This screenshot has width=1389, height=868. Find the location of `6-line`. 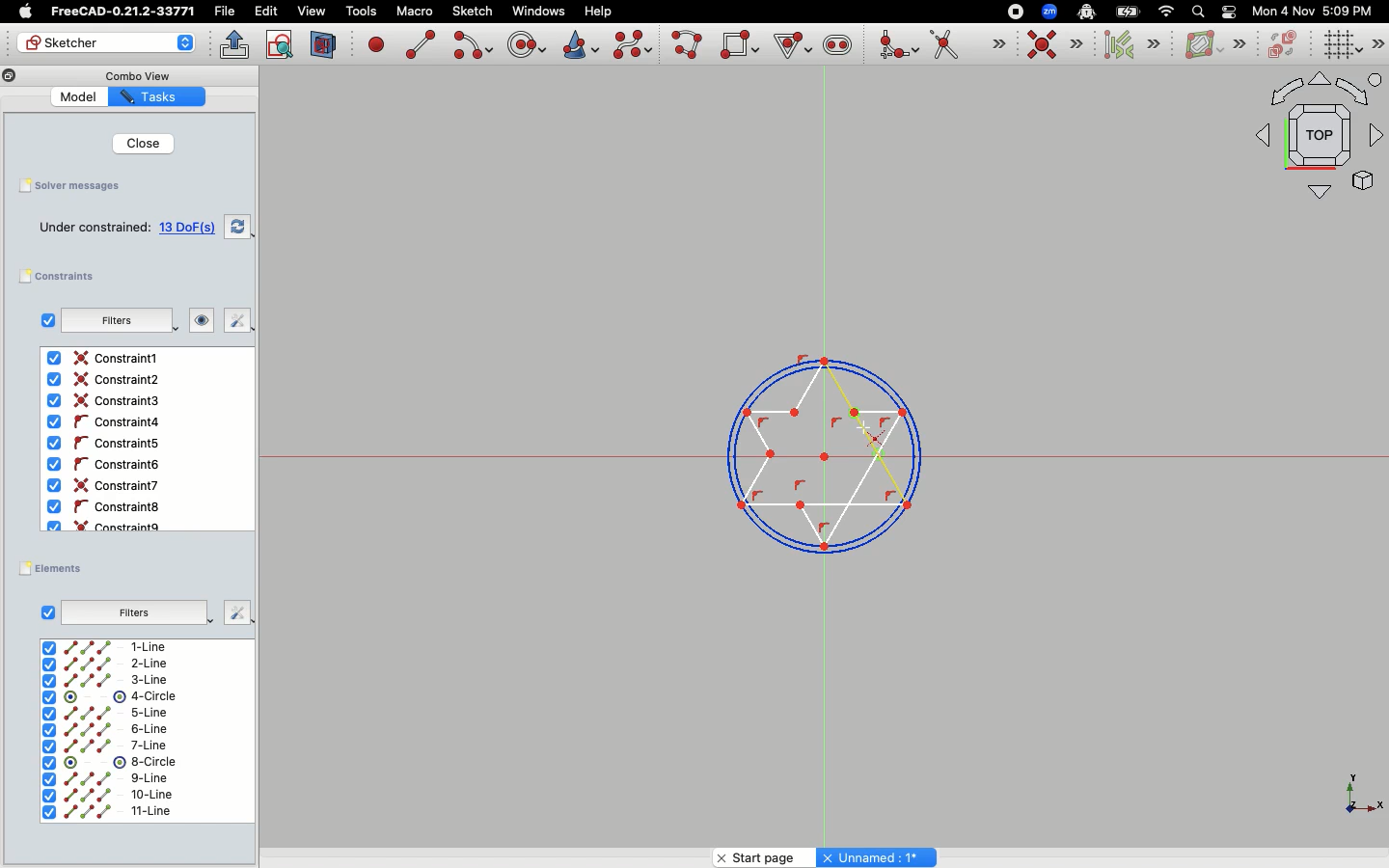

6-line is located at coordinates (104, 730).